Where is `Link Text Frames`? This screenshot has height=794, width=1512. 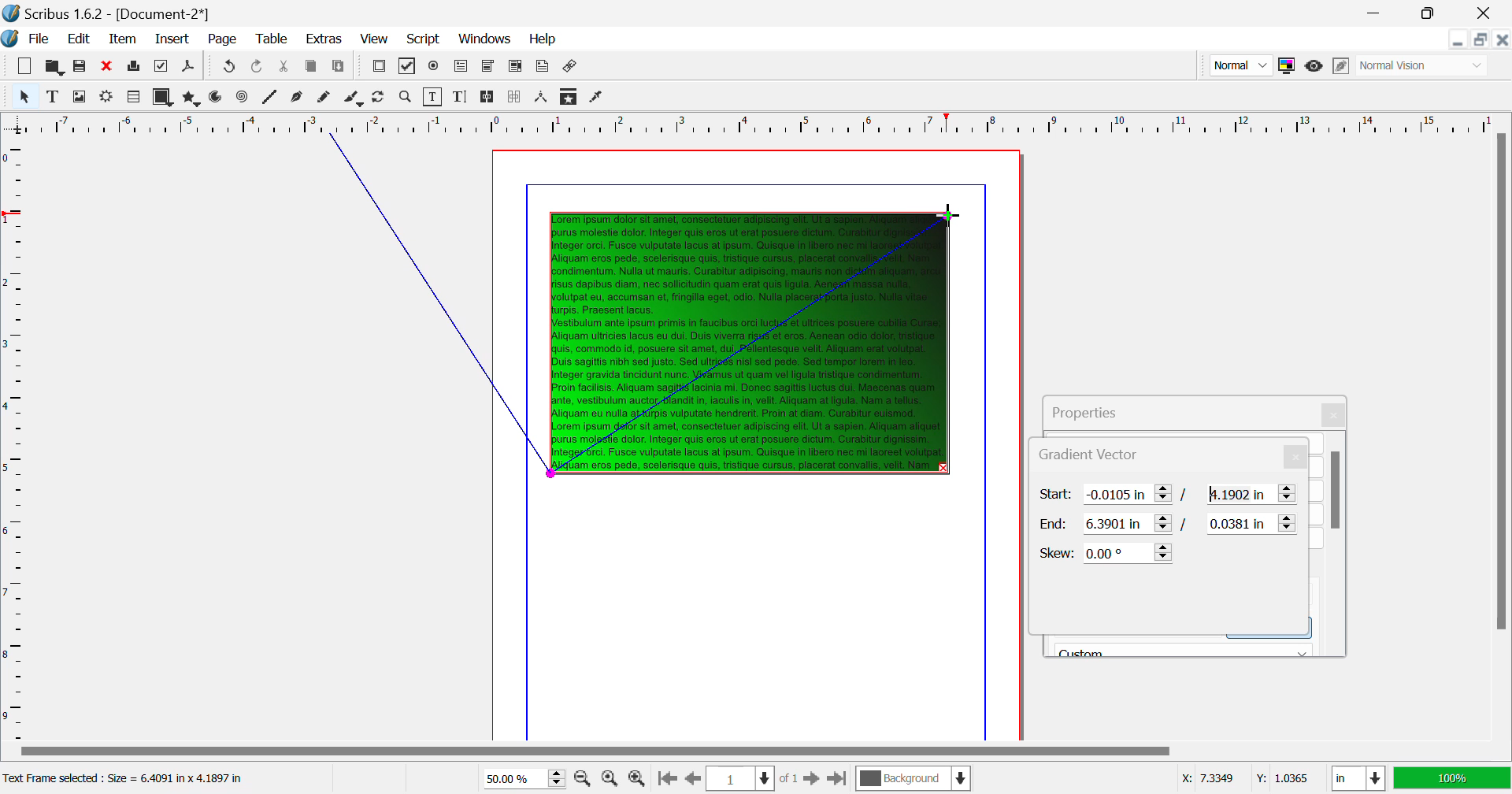
Link Text Frames is located at coordinates (488, 98).